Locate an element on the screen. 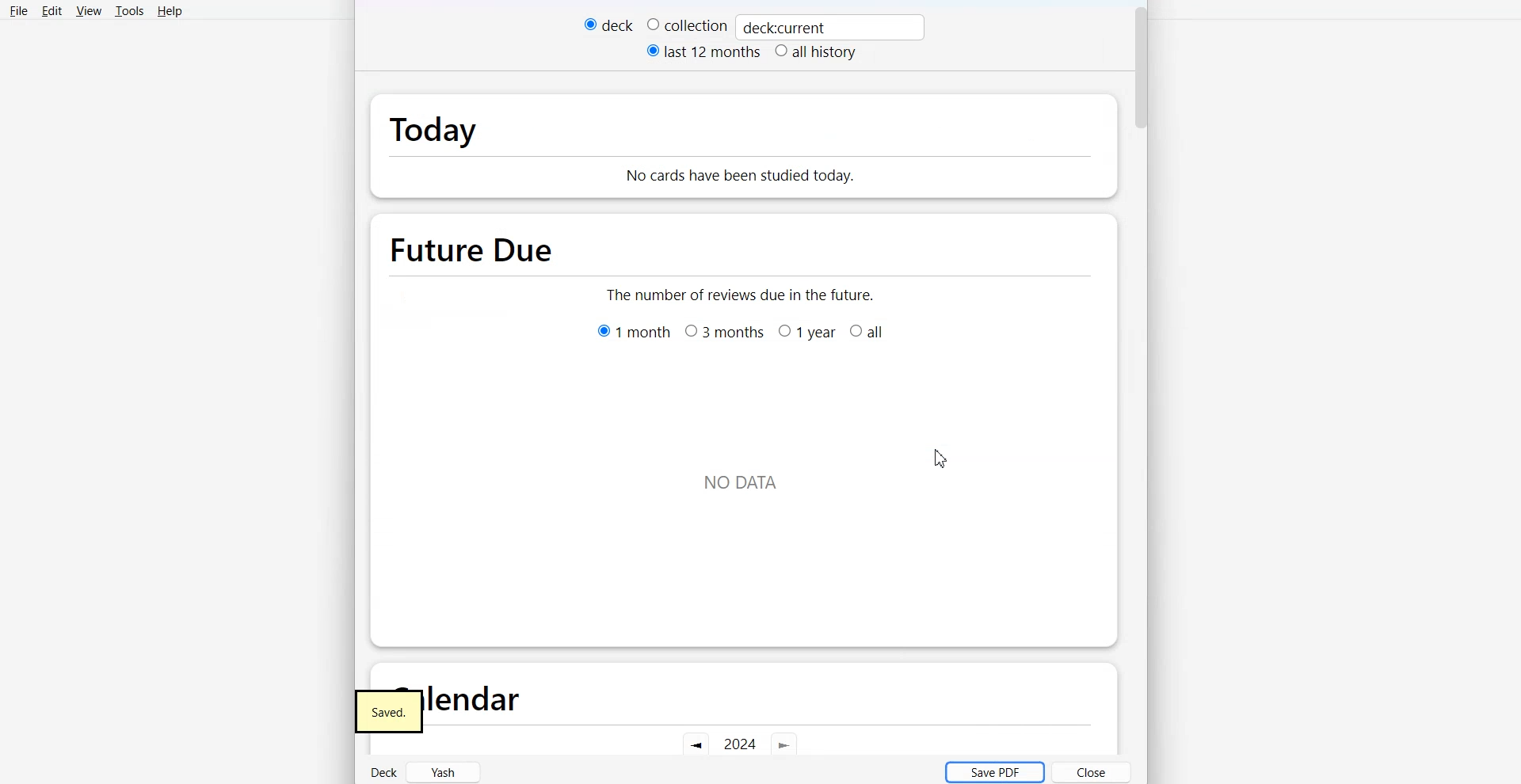 The image size is (1521, 784). 3 Months is located at coordinates (723, 332).